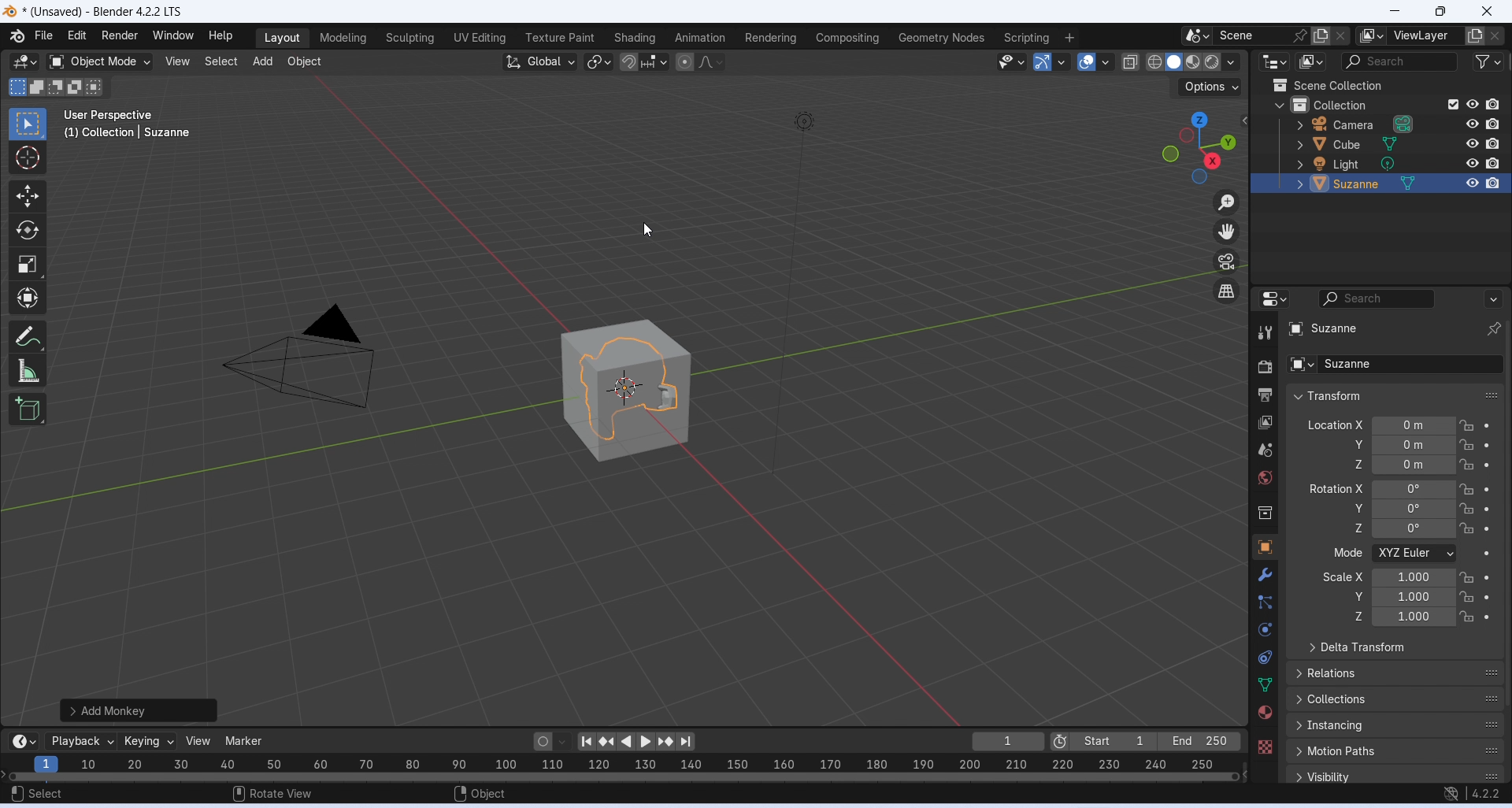 The height and width of the screenshot is (808, 1512). What do you see at coordinates (1274, 297) in the screenshot?
I see `editor type` at bounding box center [1274, 297].